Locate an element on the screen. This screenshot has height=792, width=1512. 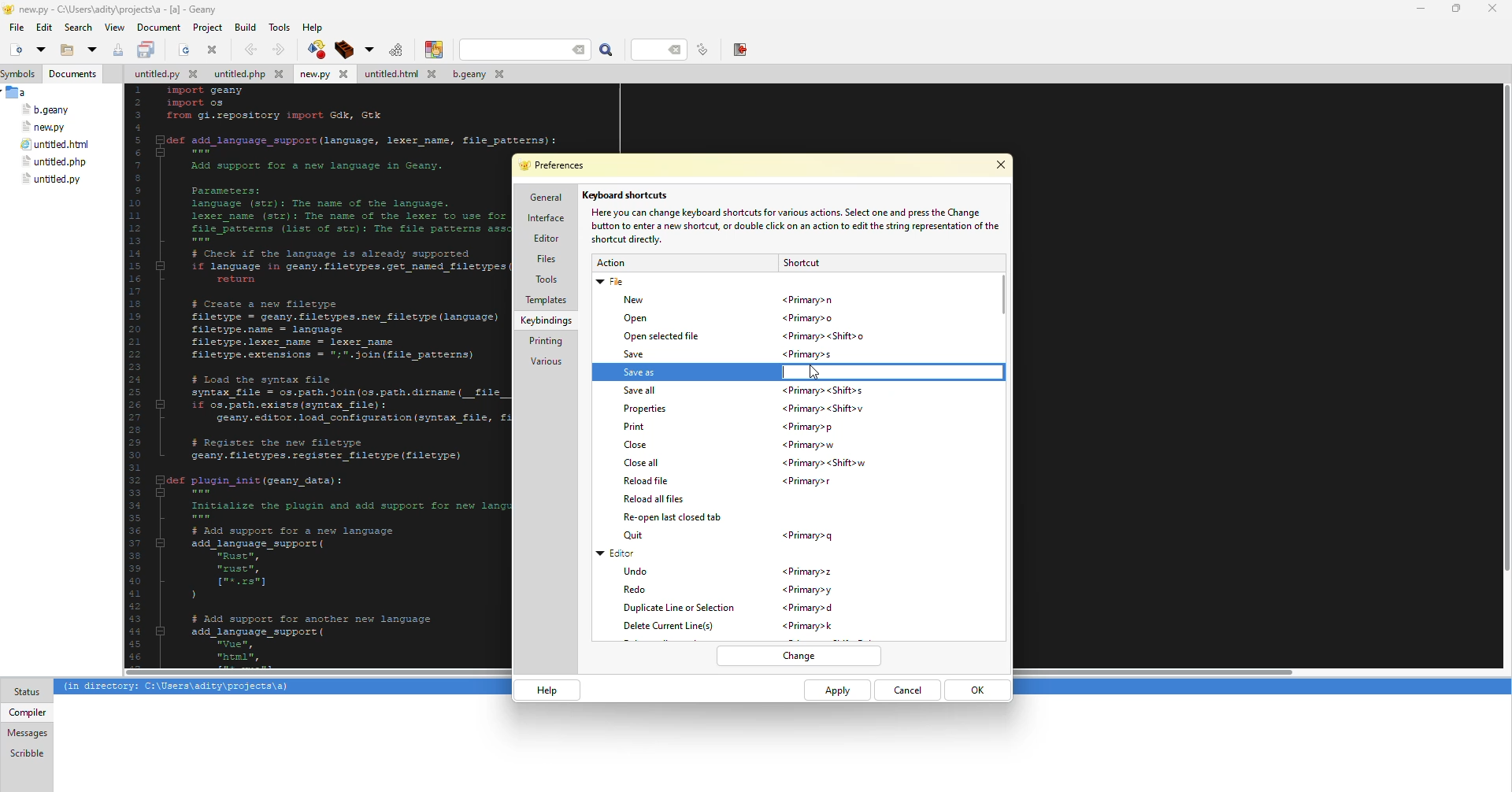
duplicate is located at coordinates (677, 609).